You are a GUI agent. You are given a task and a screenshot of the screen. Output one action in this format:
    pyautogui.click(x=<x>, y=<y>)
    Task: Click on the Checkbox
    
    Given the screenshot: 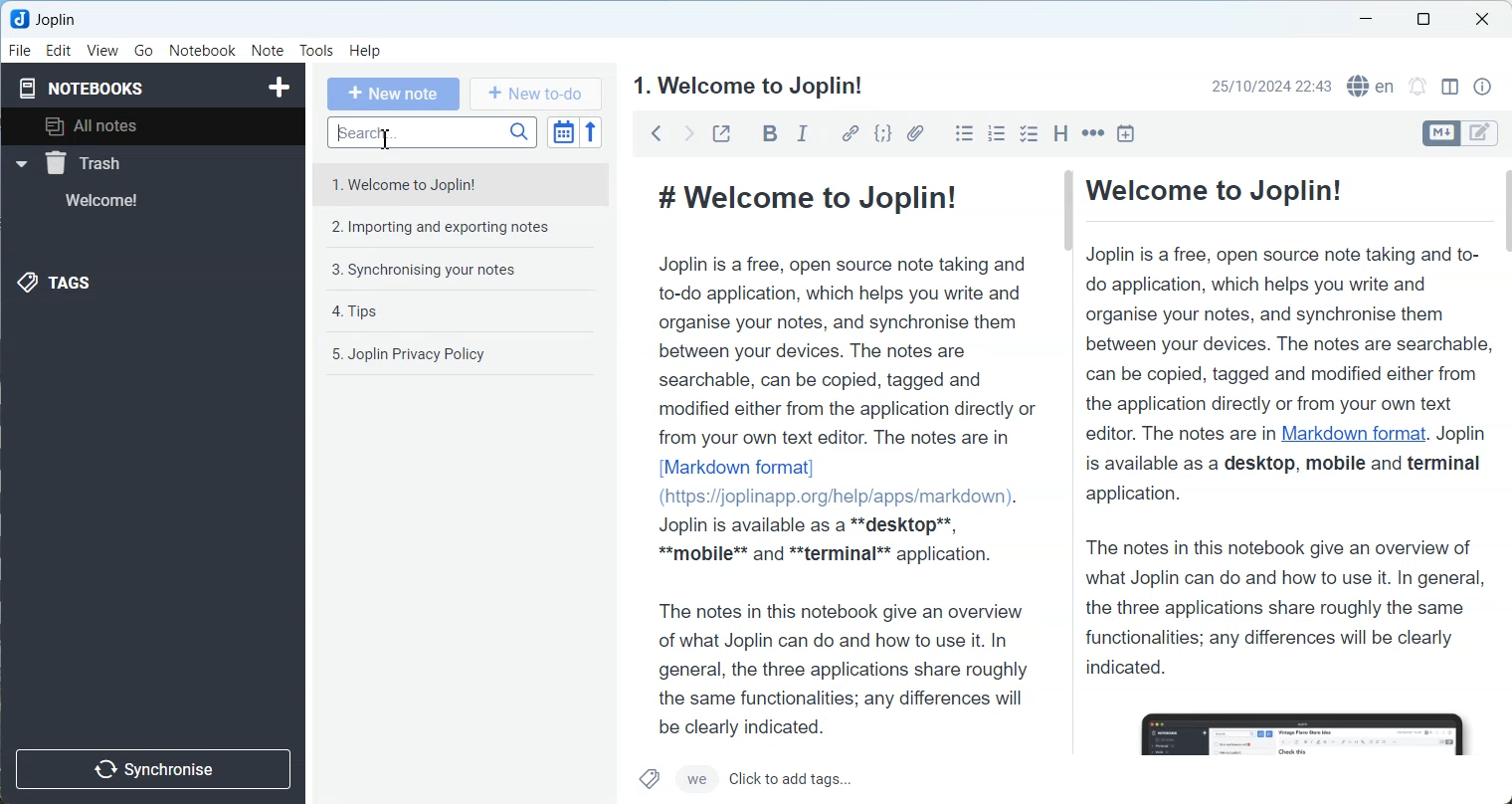 What is the action you would take?
    pyautogui.click(x=1029, y=132)
    